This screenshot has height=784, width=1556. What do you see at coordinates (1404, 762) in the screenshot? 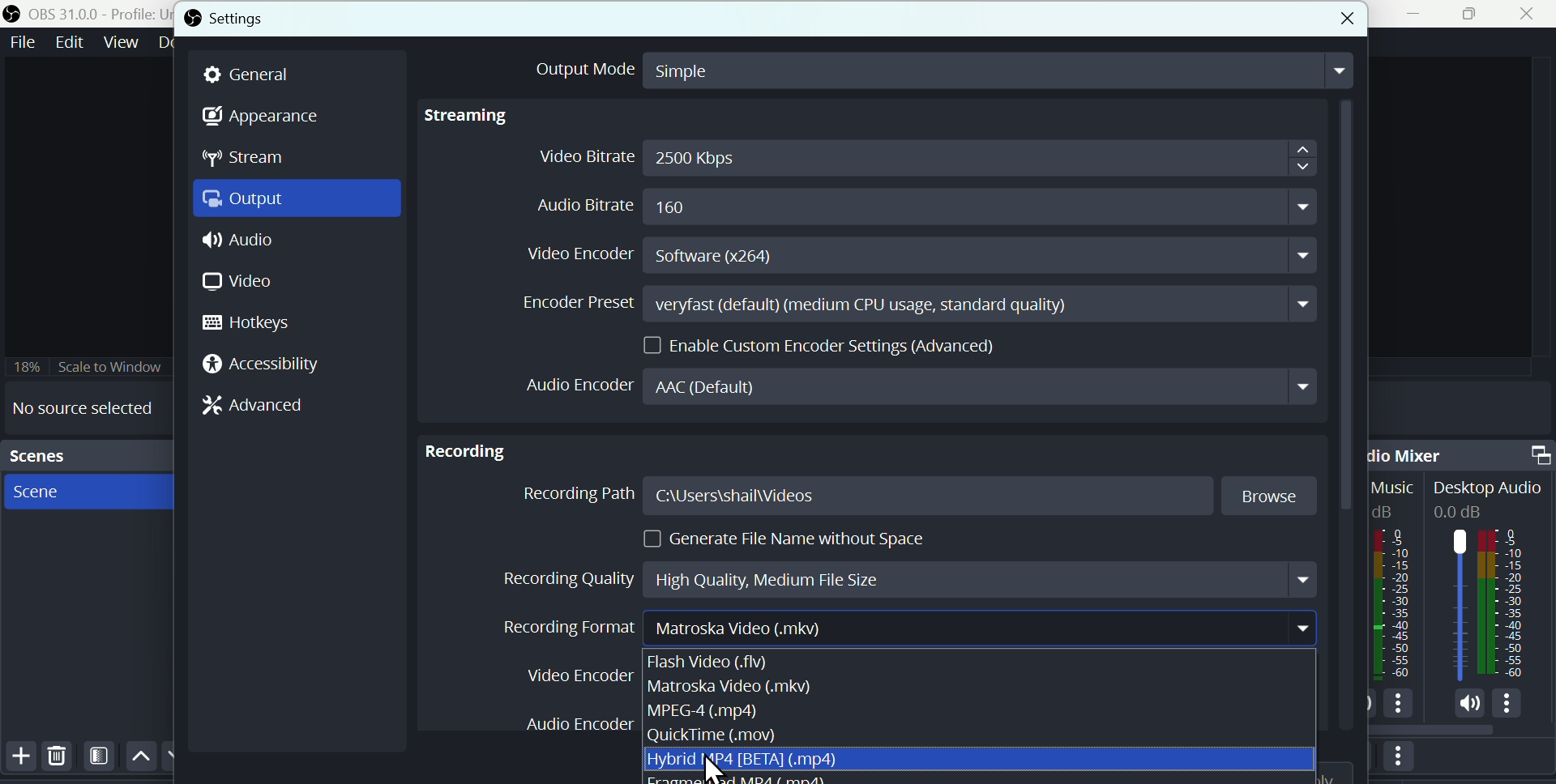
I see `More options` at bounding box center [1404, 762].